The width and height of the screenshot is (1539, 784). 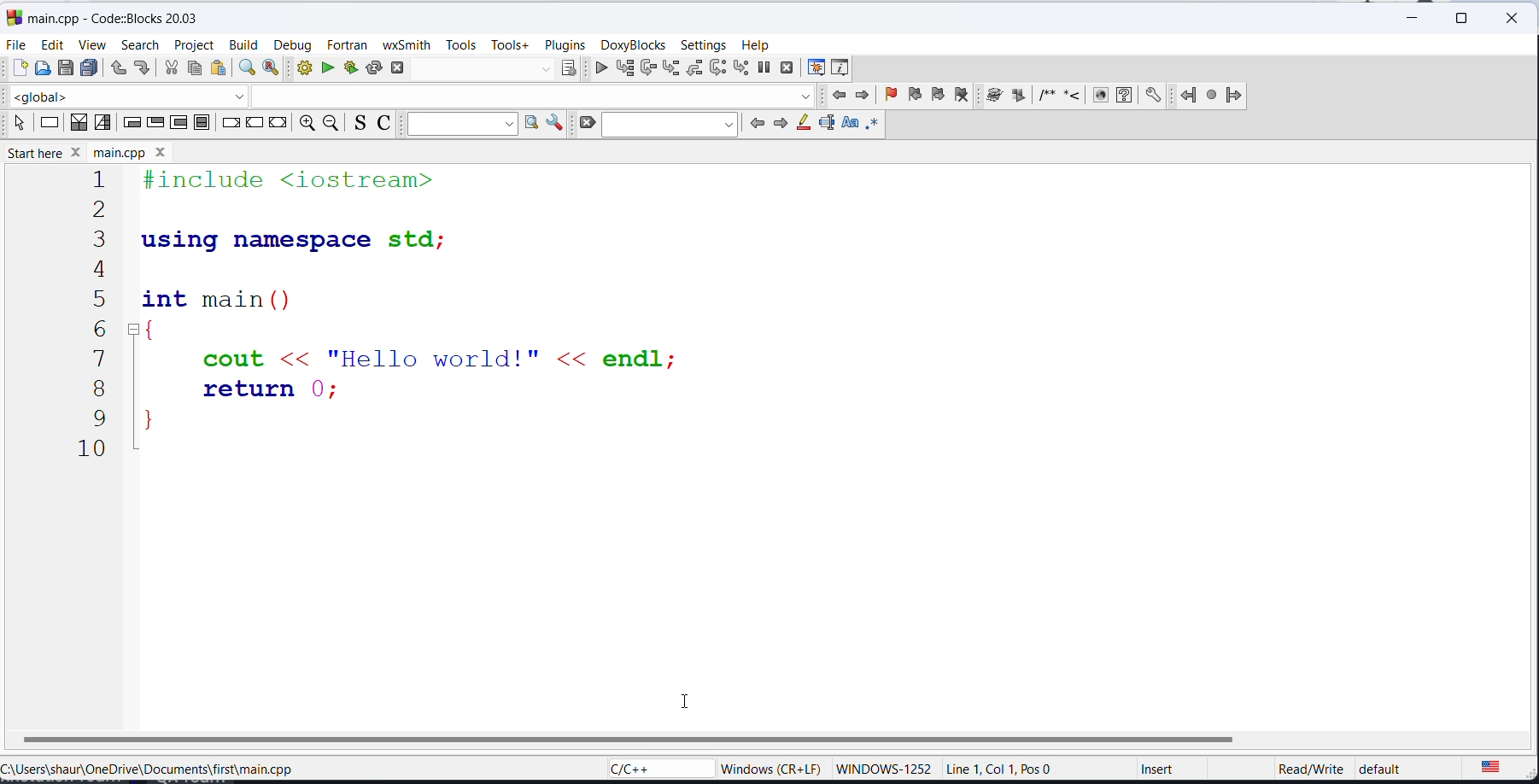 What do you see at coordinates (1125, 98) in the screenshot?
I see `ques` at bounding box center [1125, 98].